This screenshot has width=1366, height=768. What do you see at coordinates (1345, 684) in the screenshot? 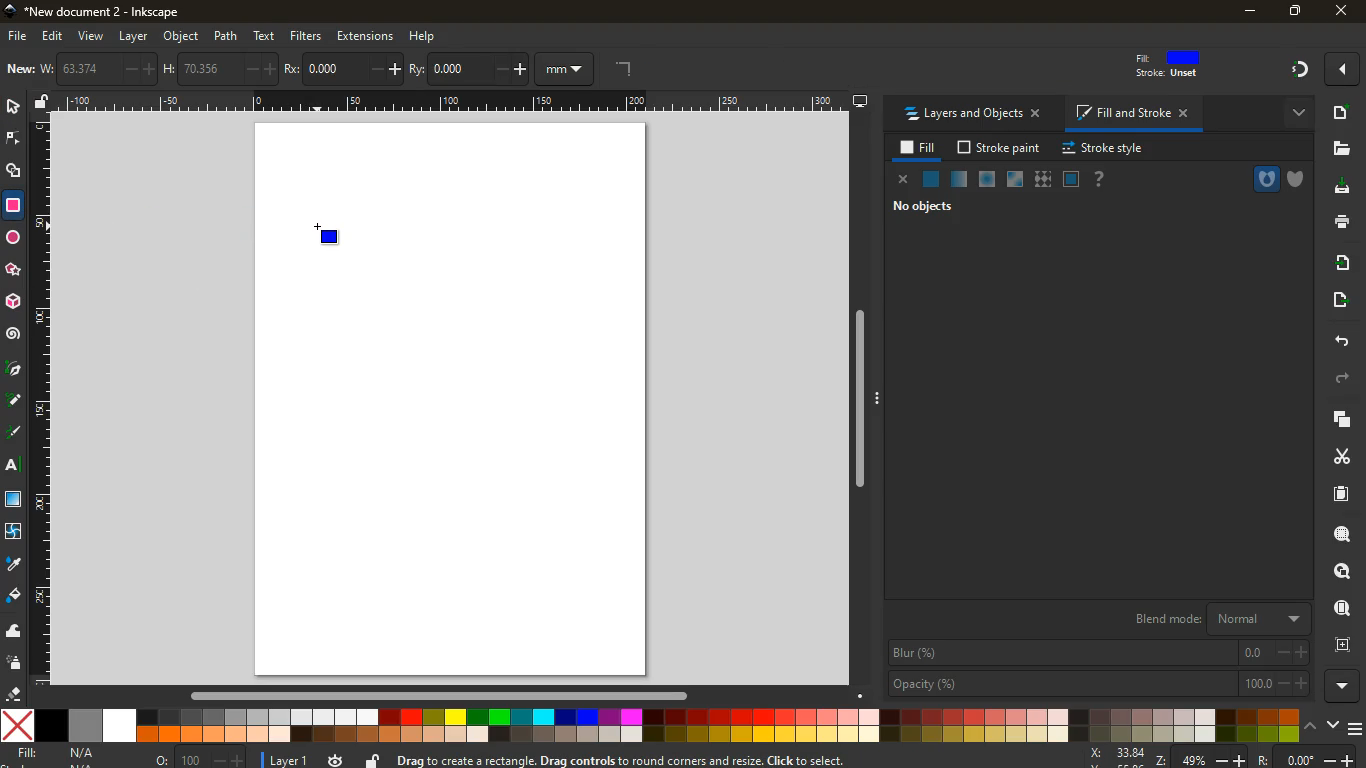
I see `more` at bounding box center [1345, 684].